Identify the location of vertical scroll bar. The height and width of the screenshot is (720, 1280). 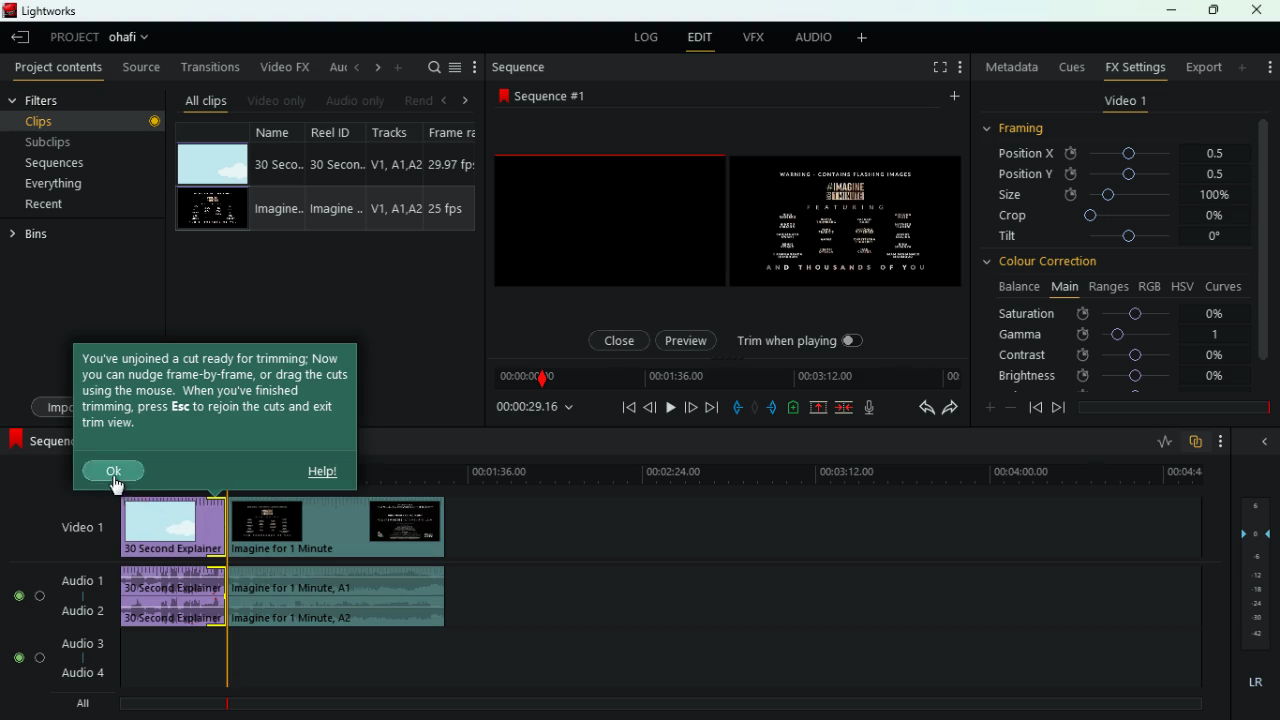
(1264, 253).